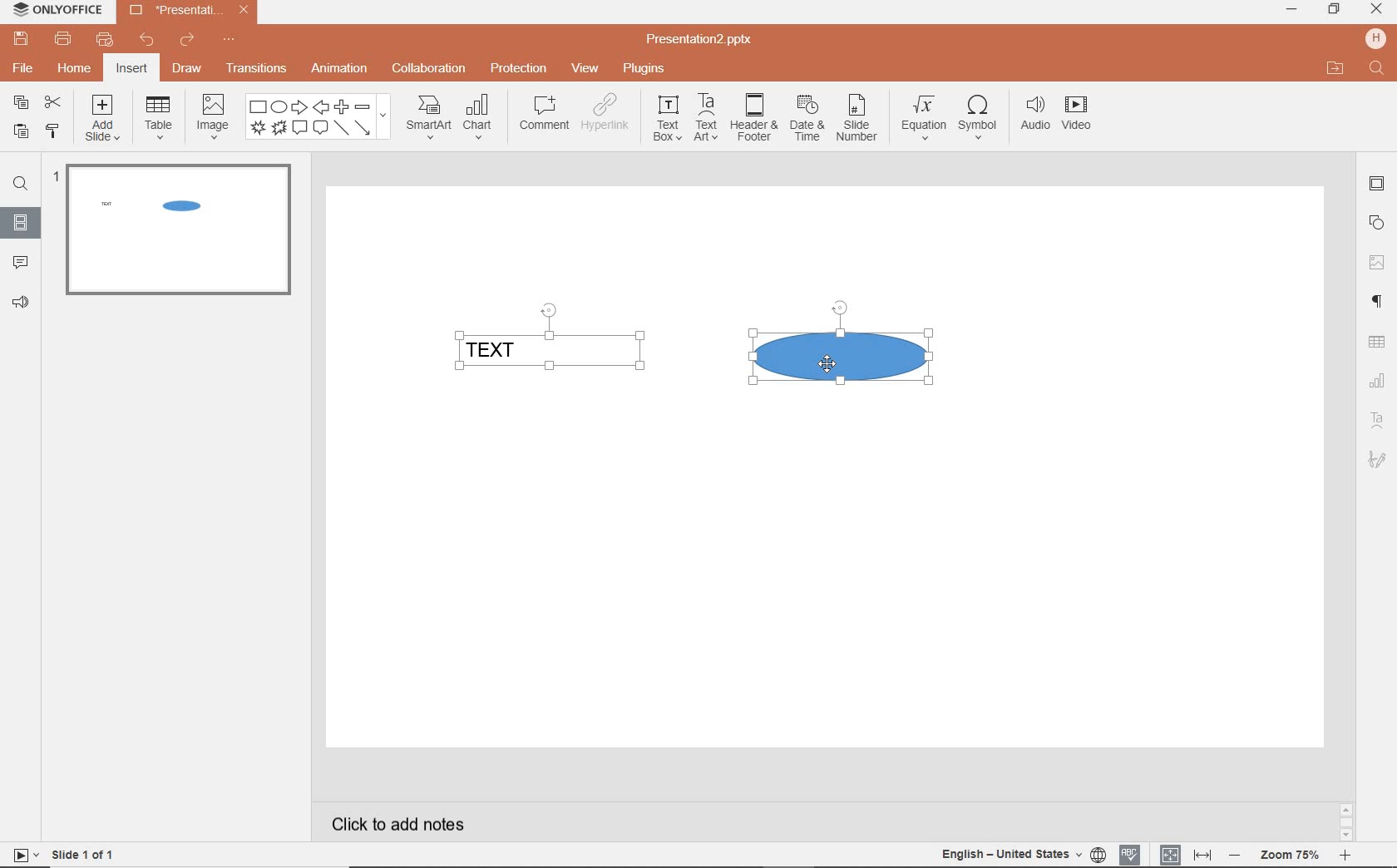  I want to click on chart, so click(481, 116).